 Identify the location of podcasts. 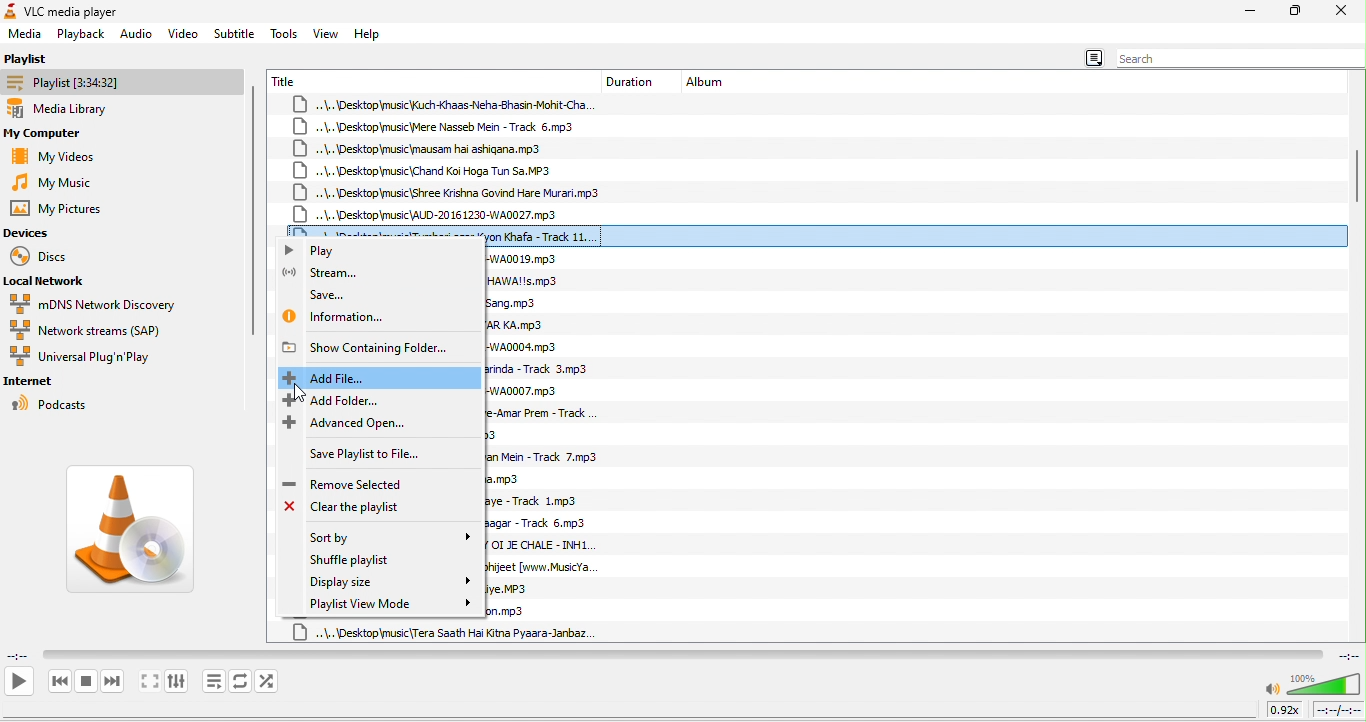
(57, 405).